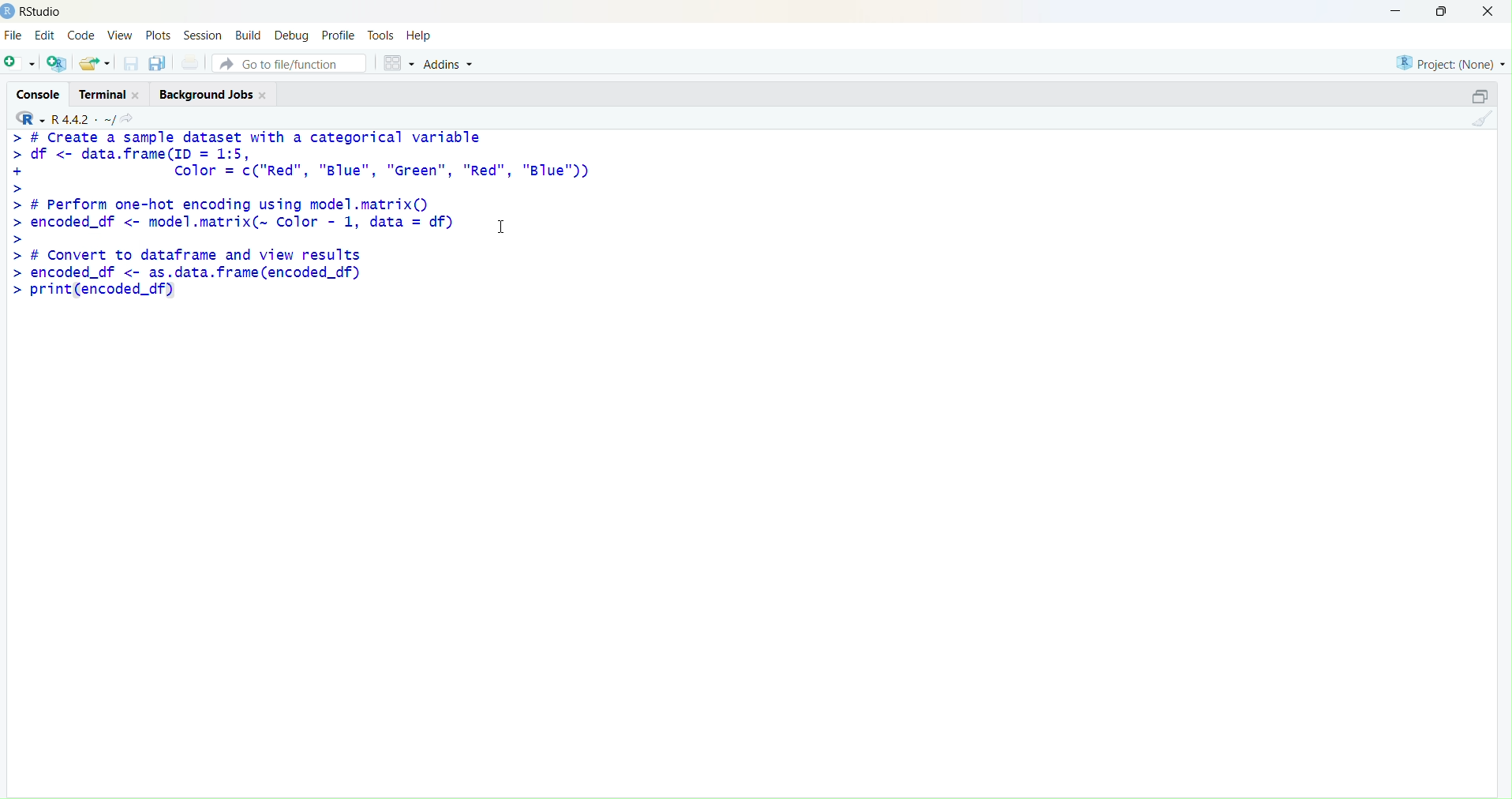  Describe the element at coordinates (122, 35) in the screenshot. I see `view` at that location.